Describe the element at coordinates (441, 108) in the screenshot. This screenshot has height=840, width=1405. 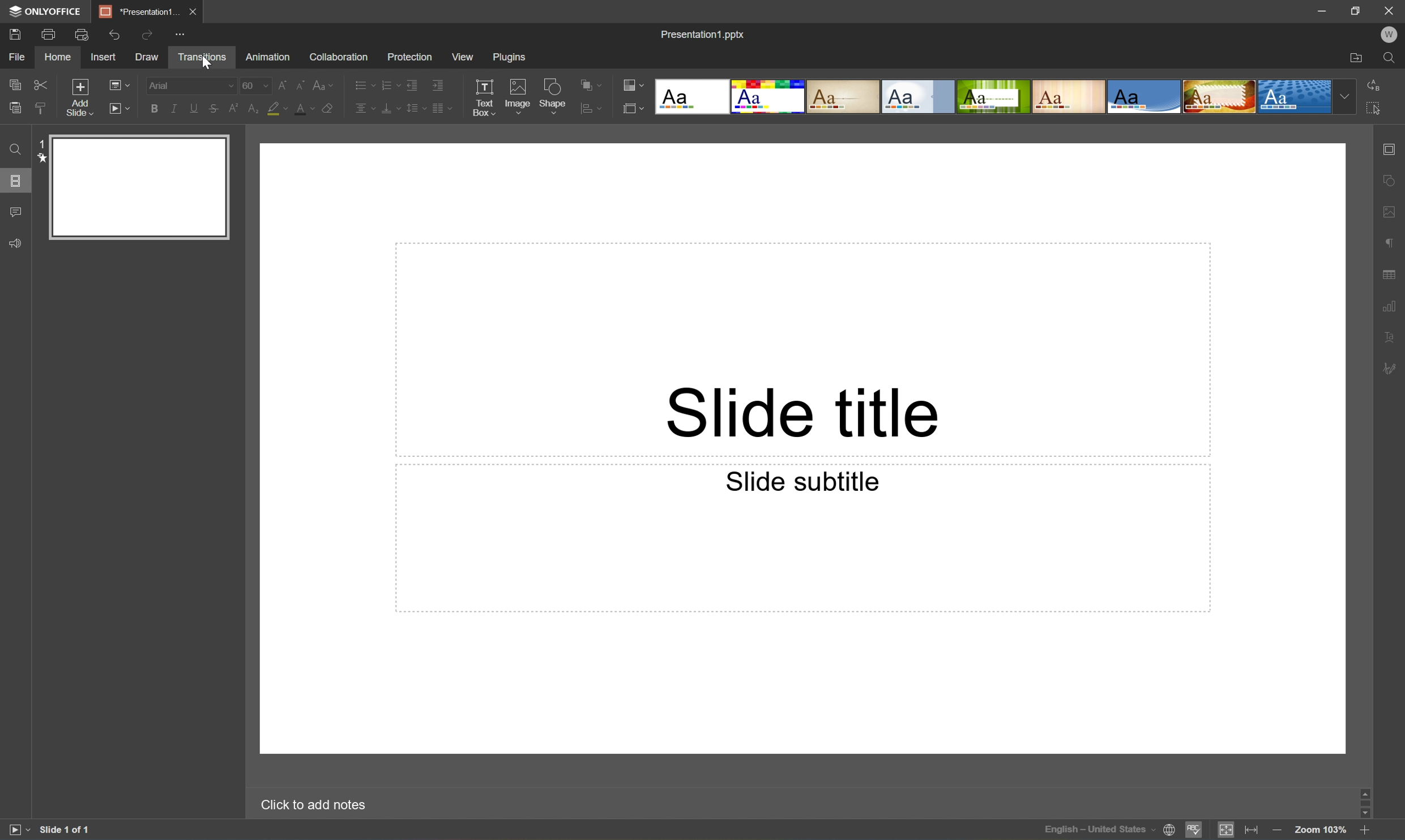
I see `Insert columns` at that location.